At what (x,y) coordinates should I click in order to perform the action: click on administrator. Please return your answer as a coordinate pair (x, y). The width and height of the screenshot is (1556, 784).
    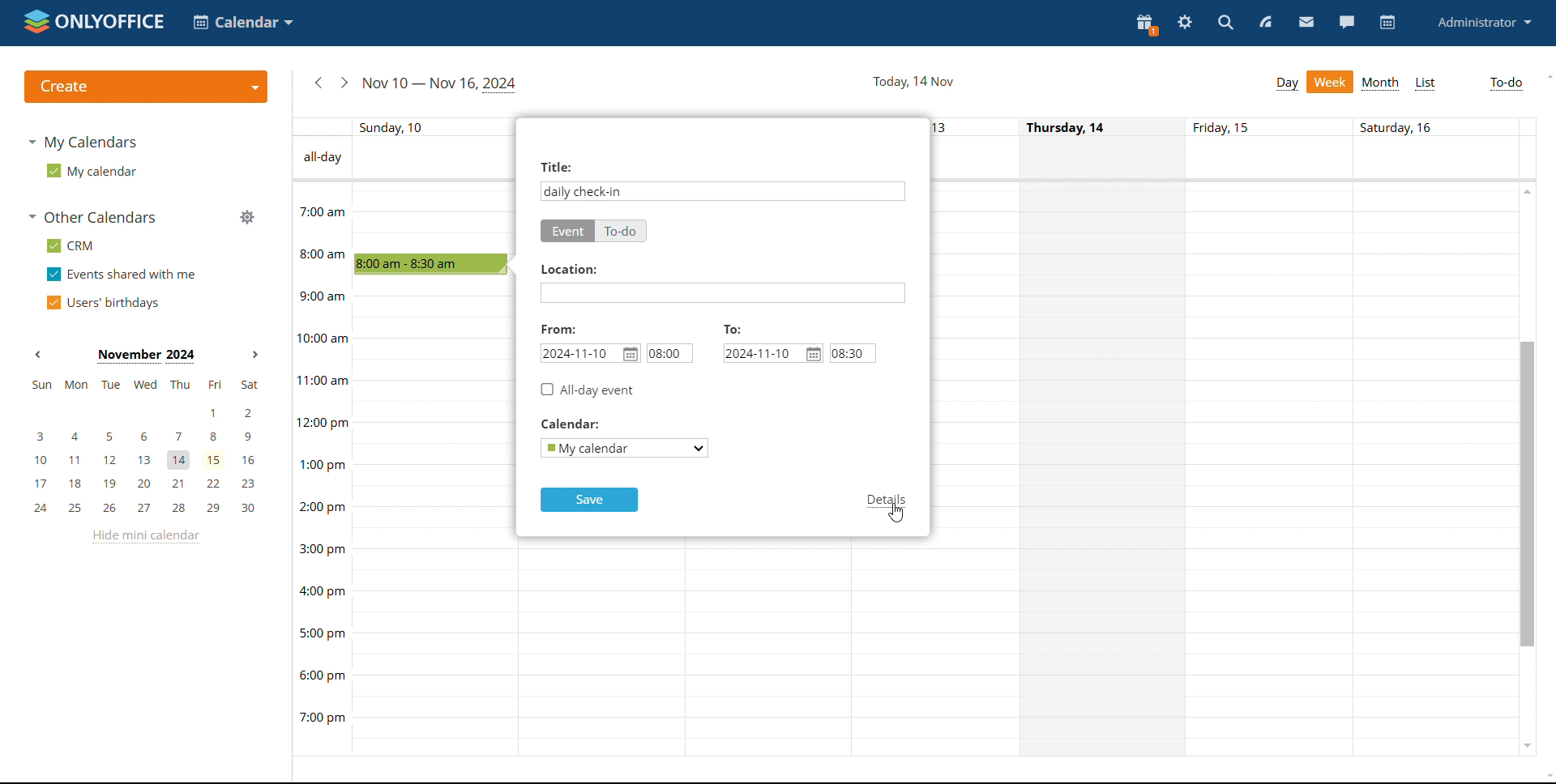
    Looking at the image, I should click on (1483, 21).